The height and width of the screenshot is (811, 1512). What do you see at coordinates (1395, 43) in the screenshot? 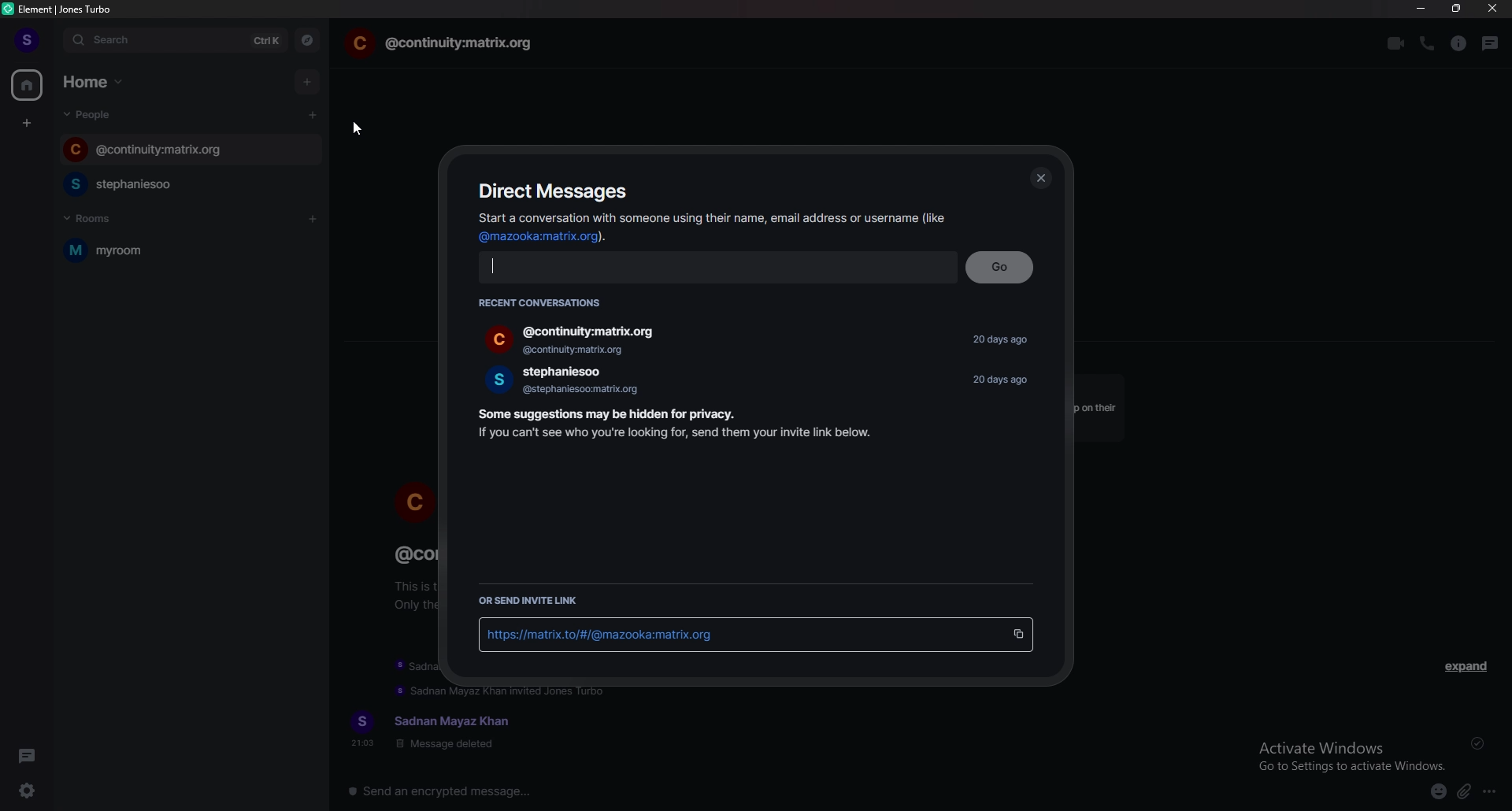
I see `video call` at bounding box center [1395, 43].